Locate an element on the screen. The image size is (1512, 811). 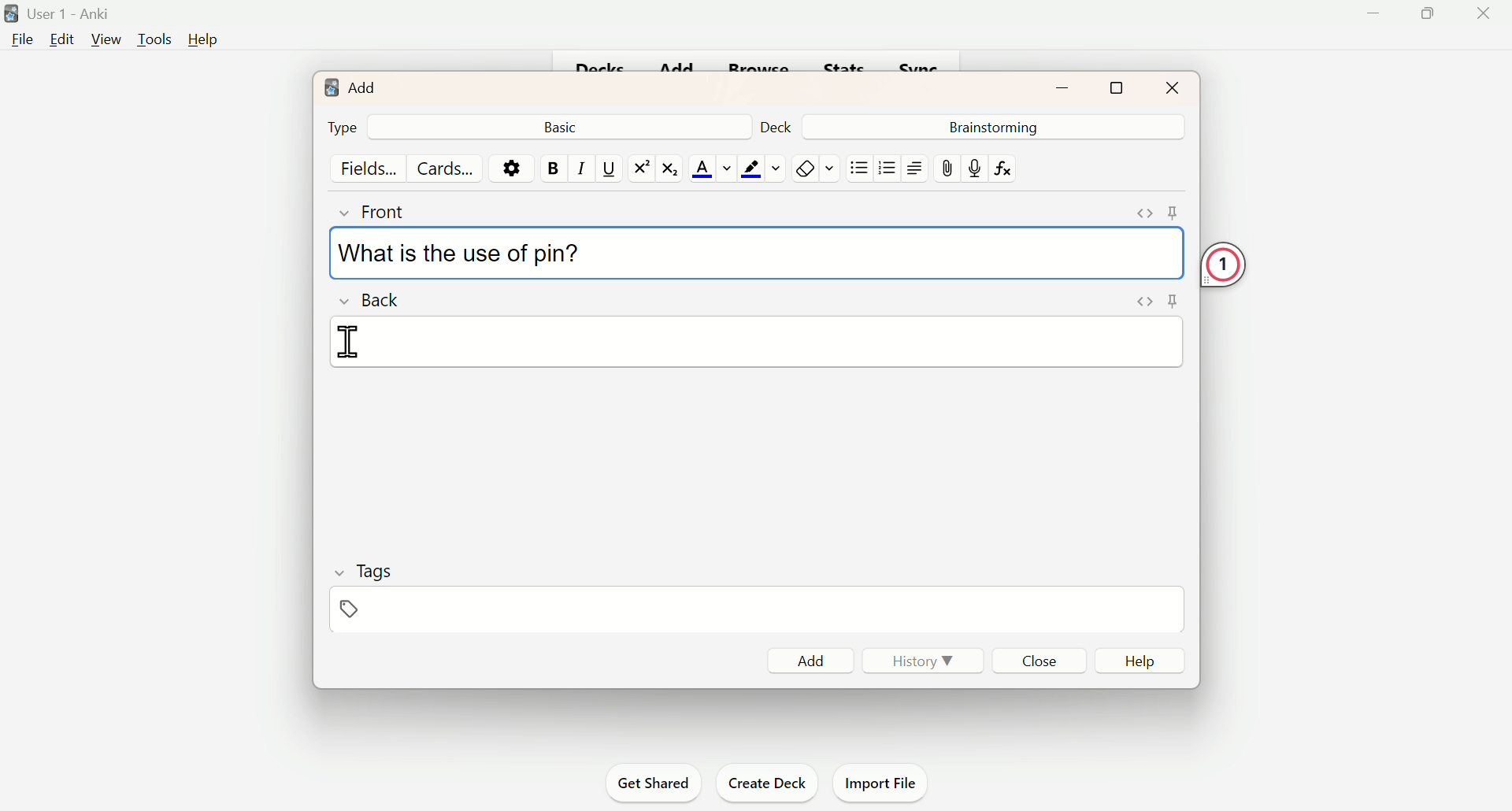
fx is located at coordinates (1009, 168).